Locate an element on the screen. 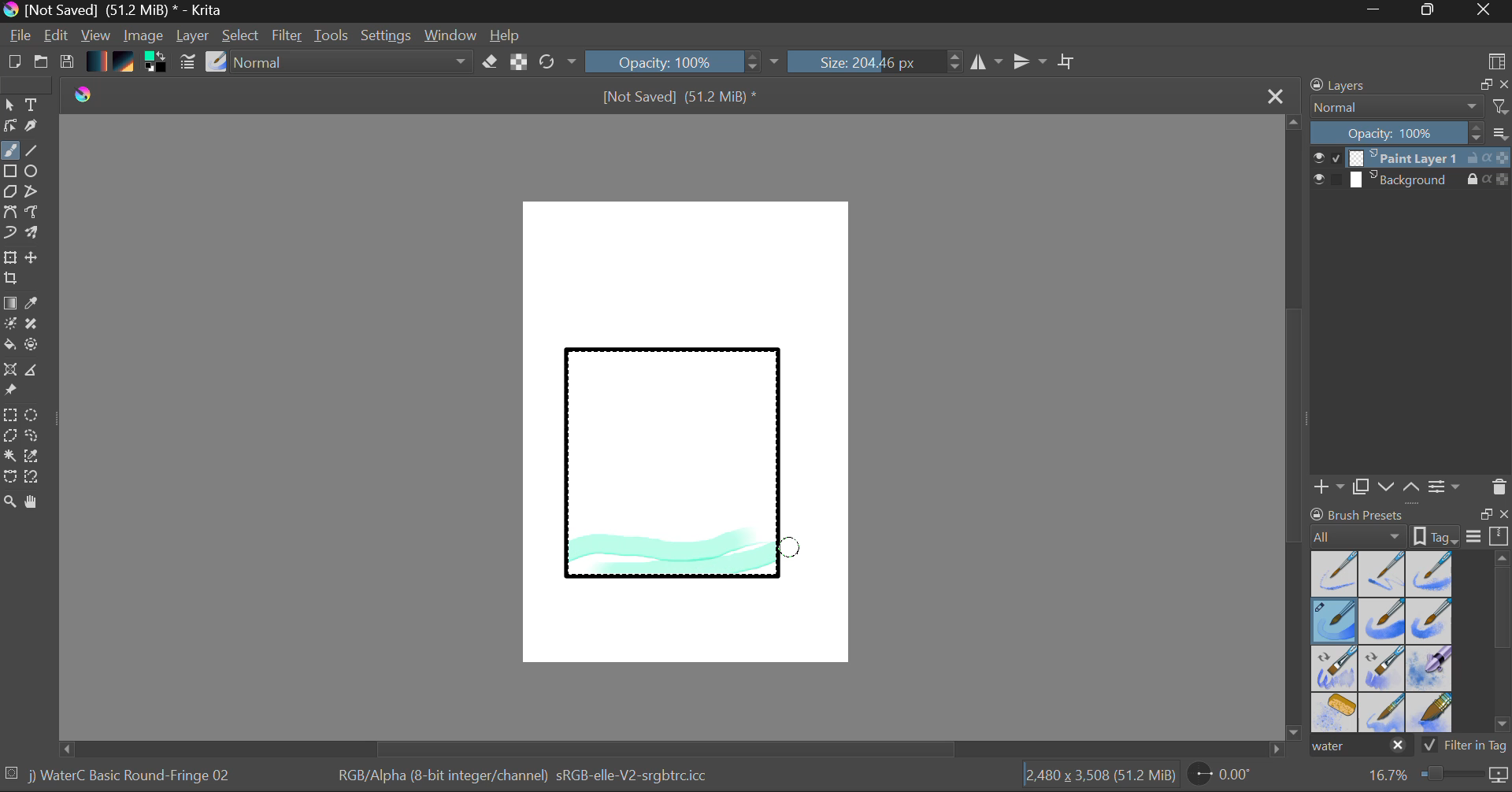 The height and width of the screenshot is (792, 1512). Lock Alpha is located at coordinates (517, 63).